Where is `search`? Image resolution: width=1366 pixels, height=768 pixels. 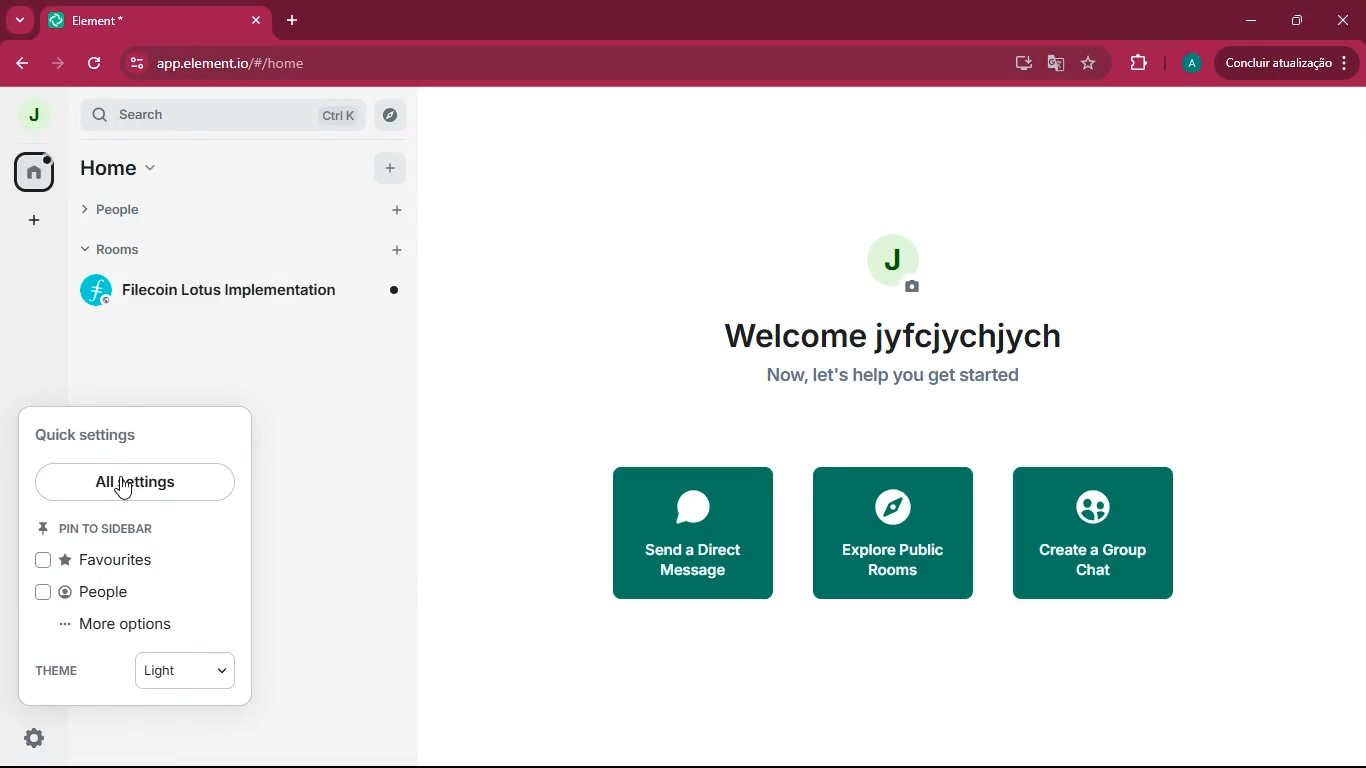 search is located at coordinates (235, 116).